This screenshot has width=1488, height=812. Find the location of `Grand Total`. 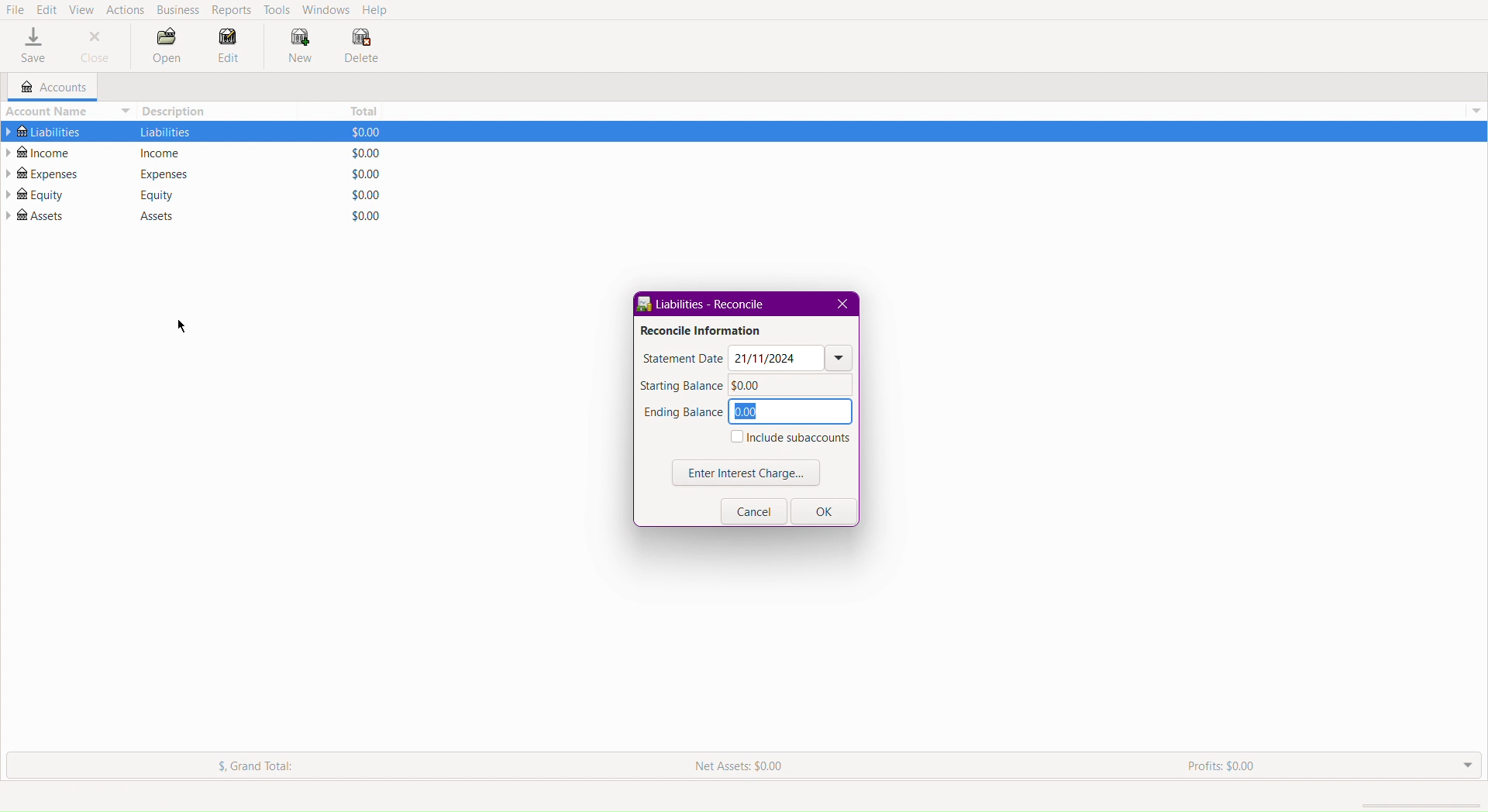

Grand Total is located at coordinates (253, 765).